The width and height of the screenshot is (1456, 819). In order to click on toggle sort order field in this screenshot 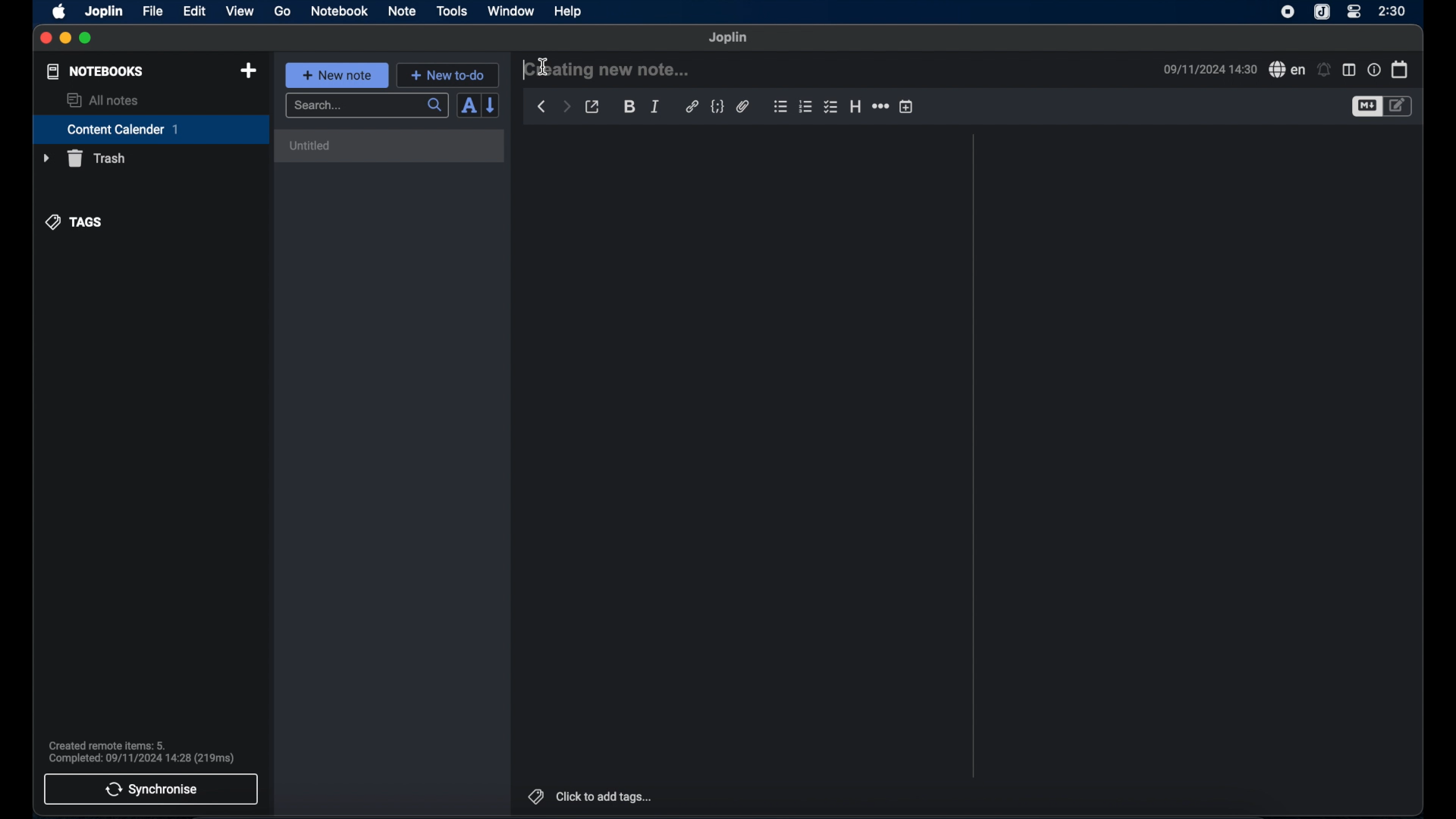, I will do `click(468, 106)`.